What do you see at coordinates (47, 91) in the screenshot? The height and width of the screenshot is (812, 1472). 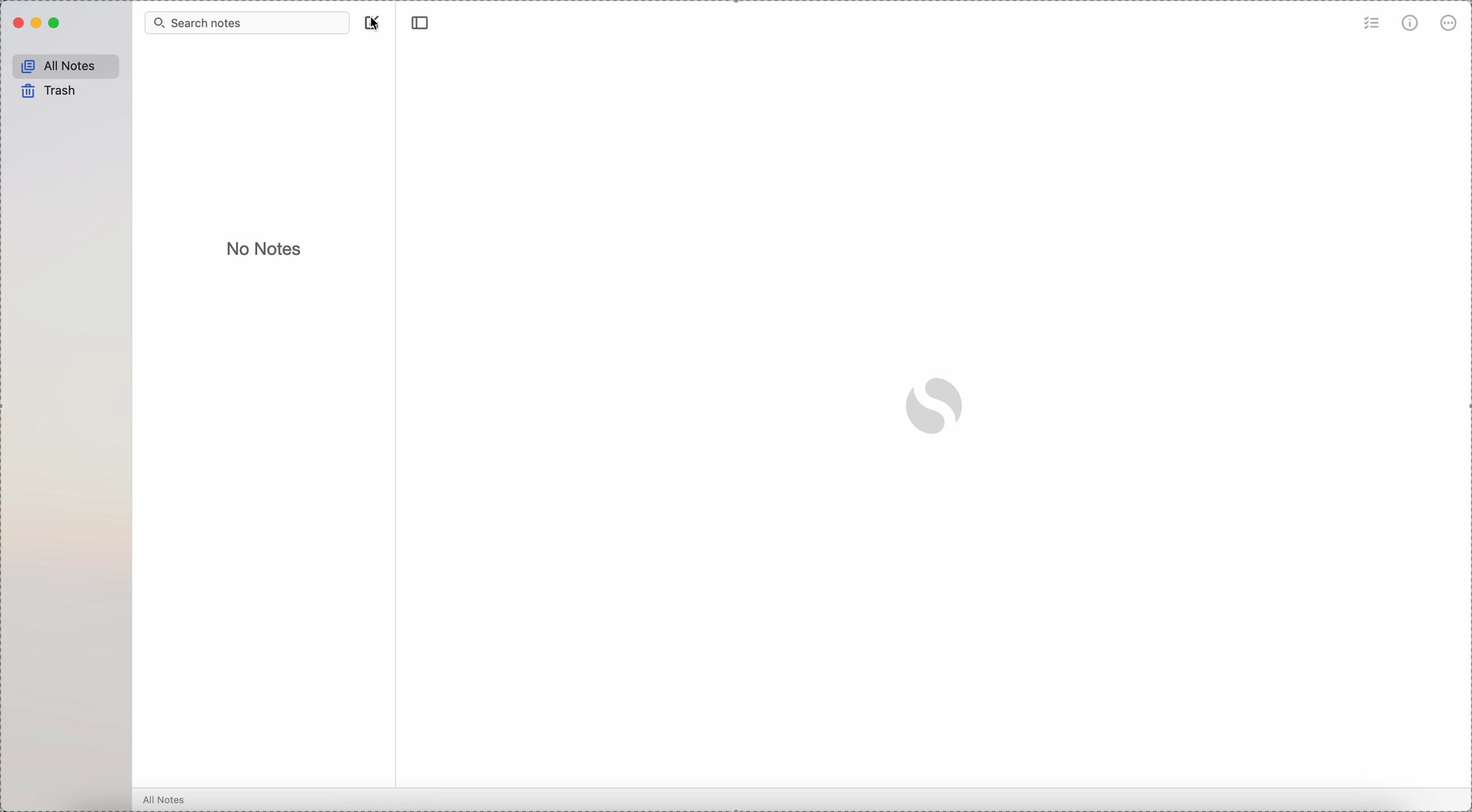 I see `trash` at bounding box center [47, 91].